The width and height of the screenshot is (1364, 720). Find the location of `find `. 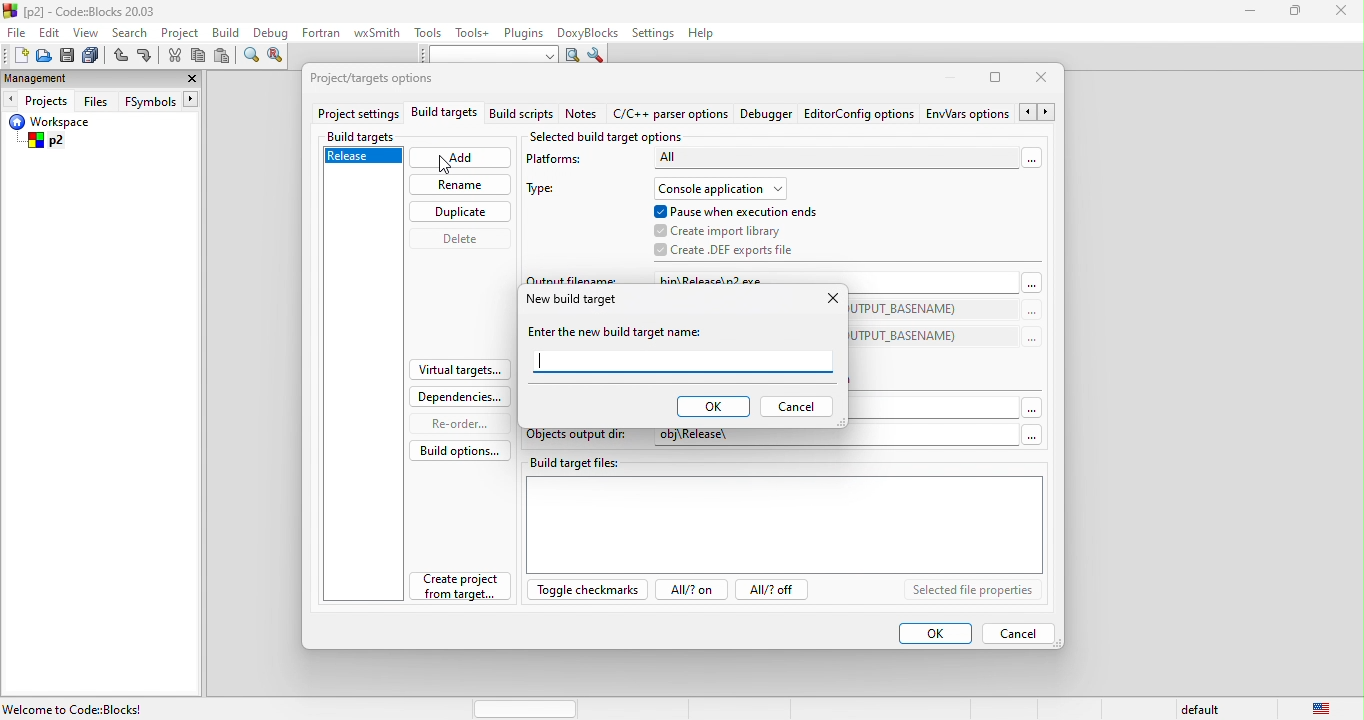

find  is located at coordinates (249, 57).